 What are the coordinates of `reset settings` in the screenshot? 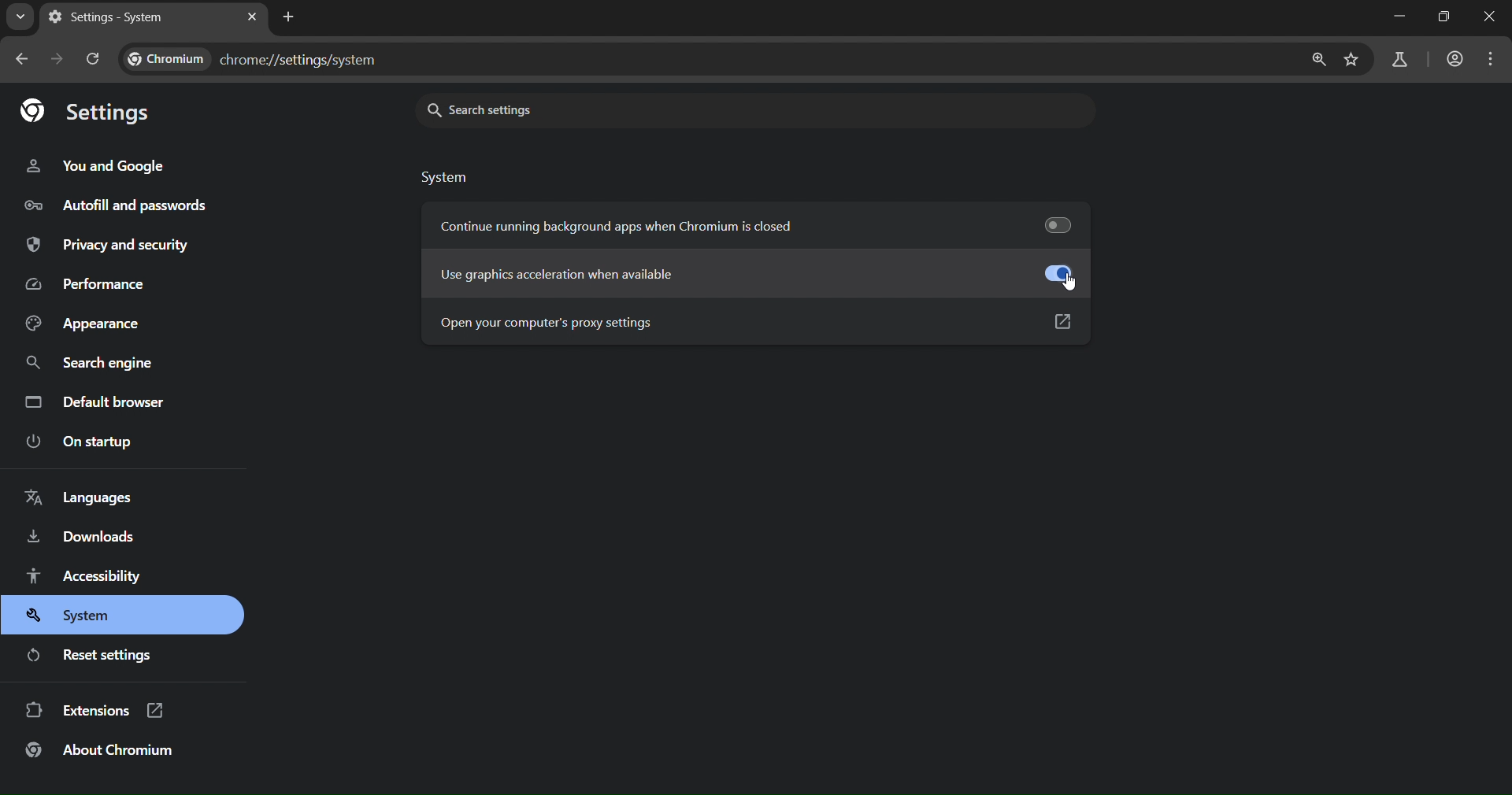 It's located at (103, 655).